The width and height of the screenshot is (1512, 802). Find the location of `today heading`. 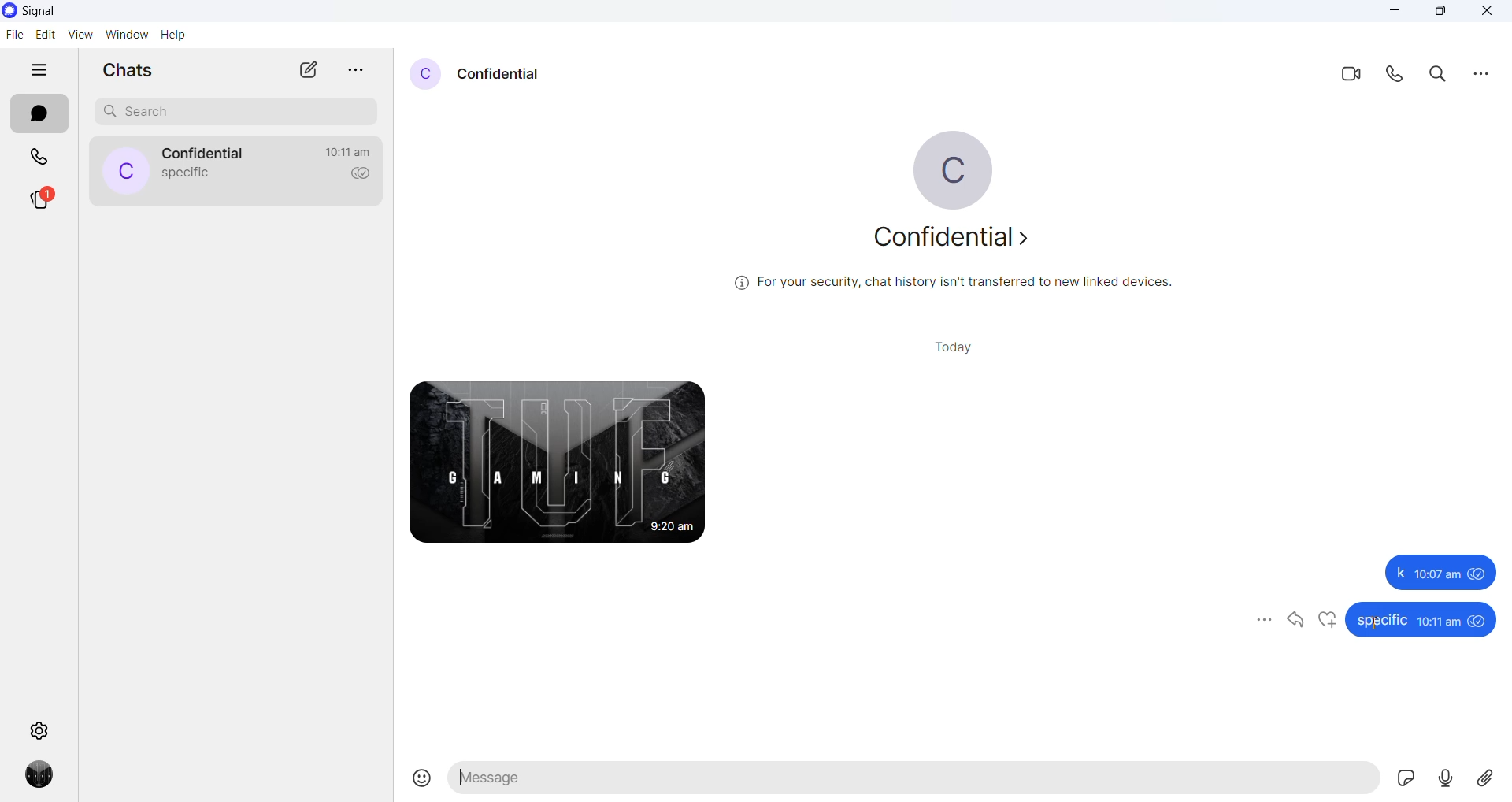

today heading is located at coordinates (949, 347).